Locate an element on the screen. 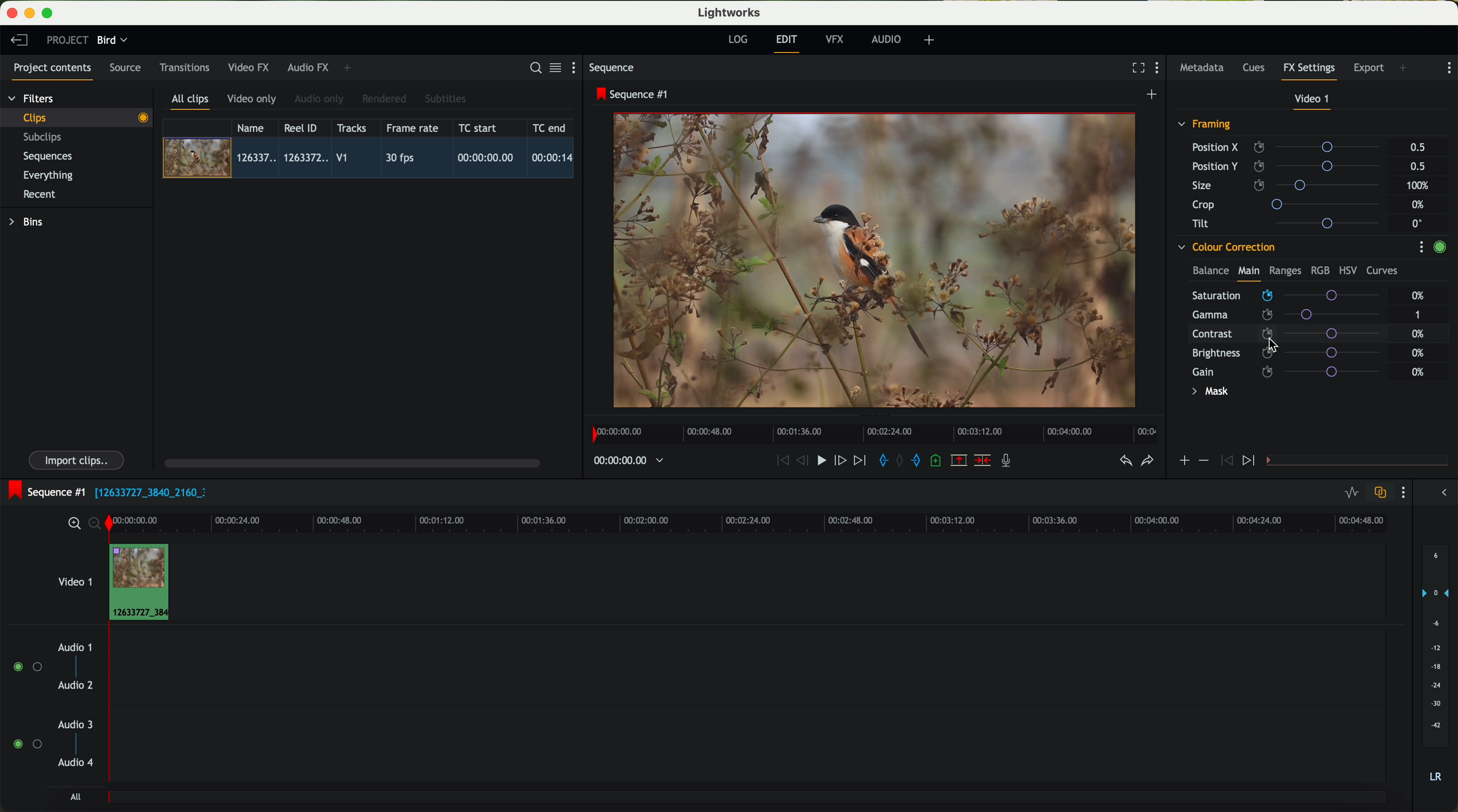 This screenshot has height=812, width=1458. project contents is located at coordinates (53, 71).